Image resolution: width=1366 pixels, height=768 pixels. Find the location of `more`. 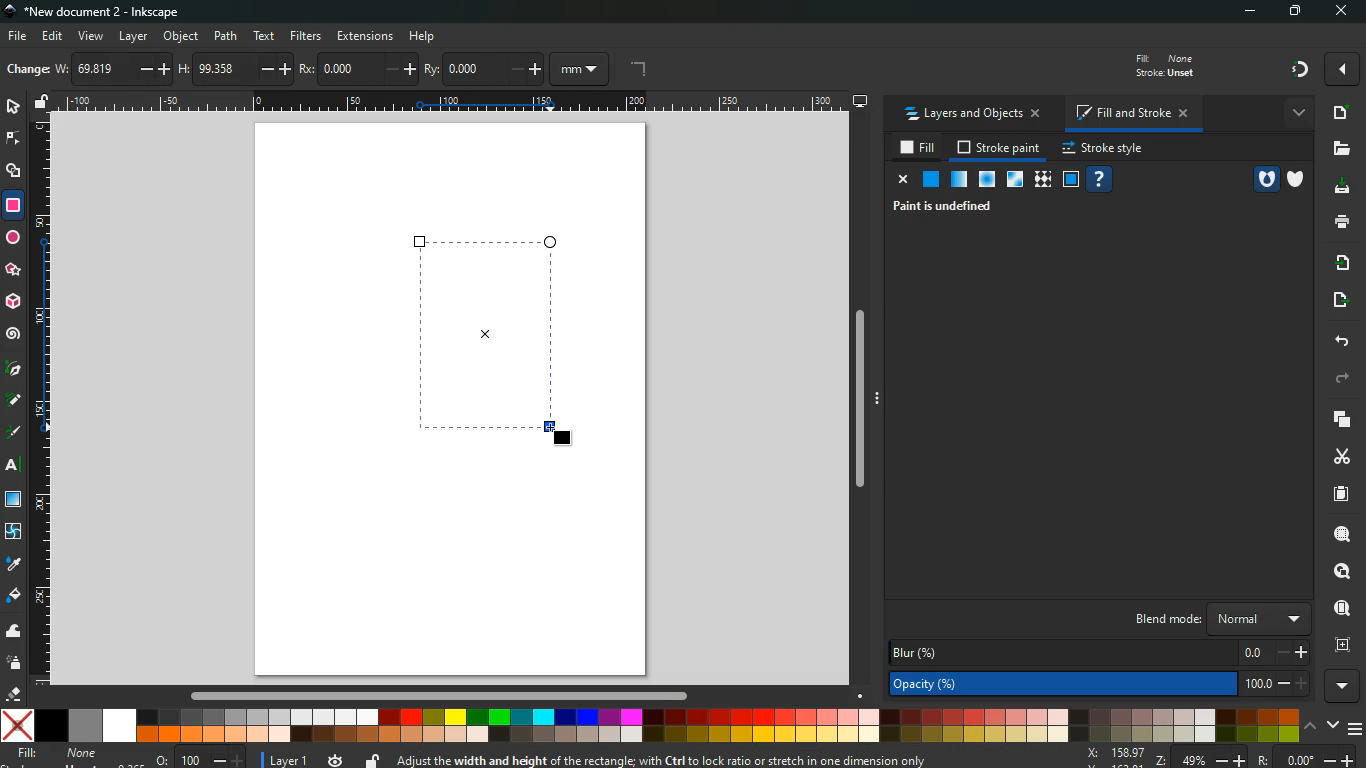

more is located at coordinates (1341, 686).